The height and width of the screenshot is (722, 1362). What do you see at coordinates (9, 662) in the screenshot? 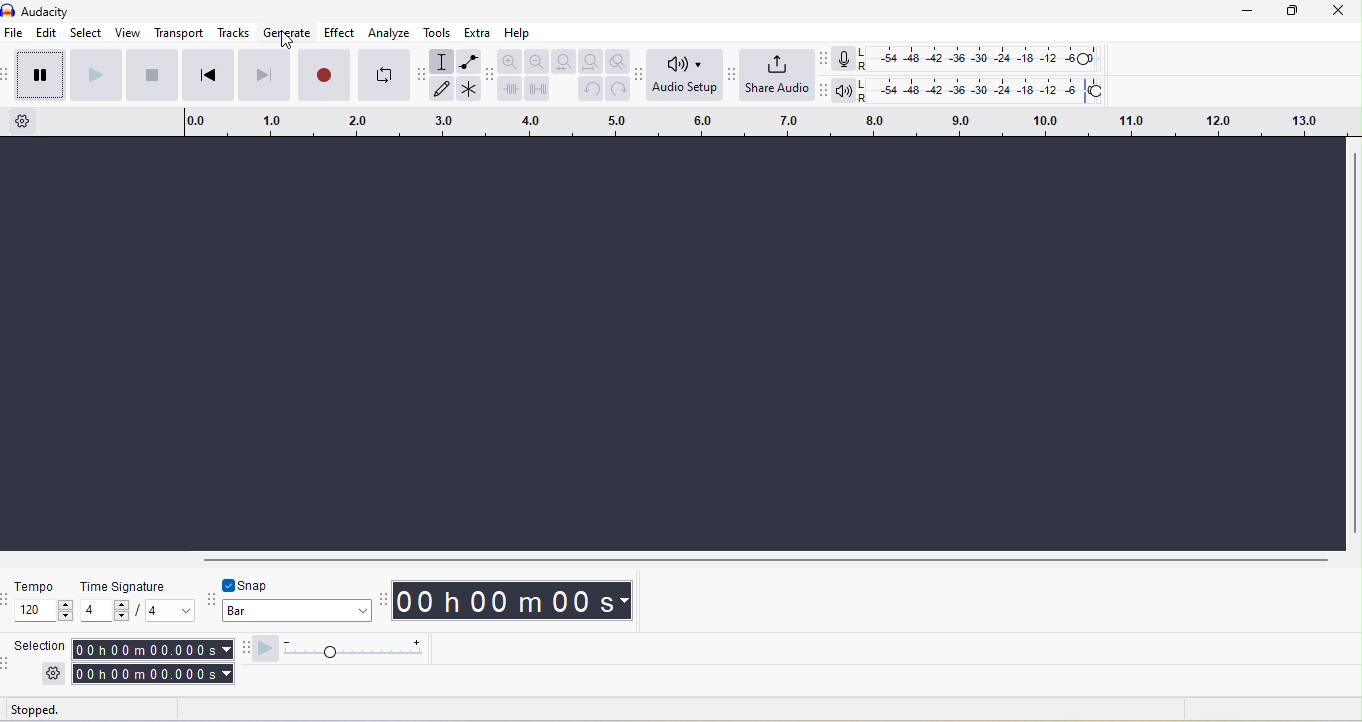
I see `audacity selection toolbar` at bounding box center [9, 662].